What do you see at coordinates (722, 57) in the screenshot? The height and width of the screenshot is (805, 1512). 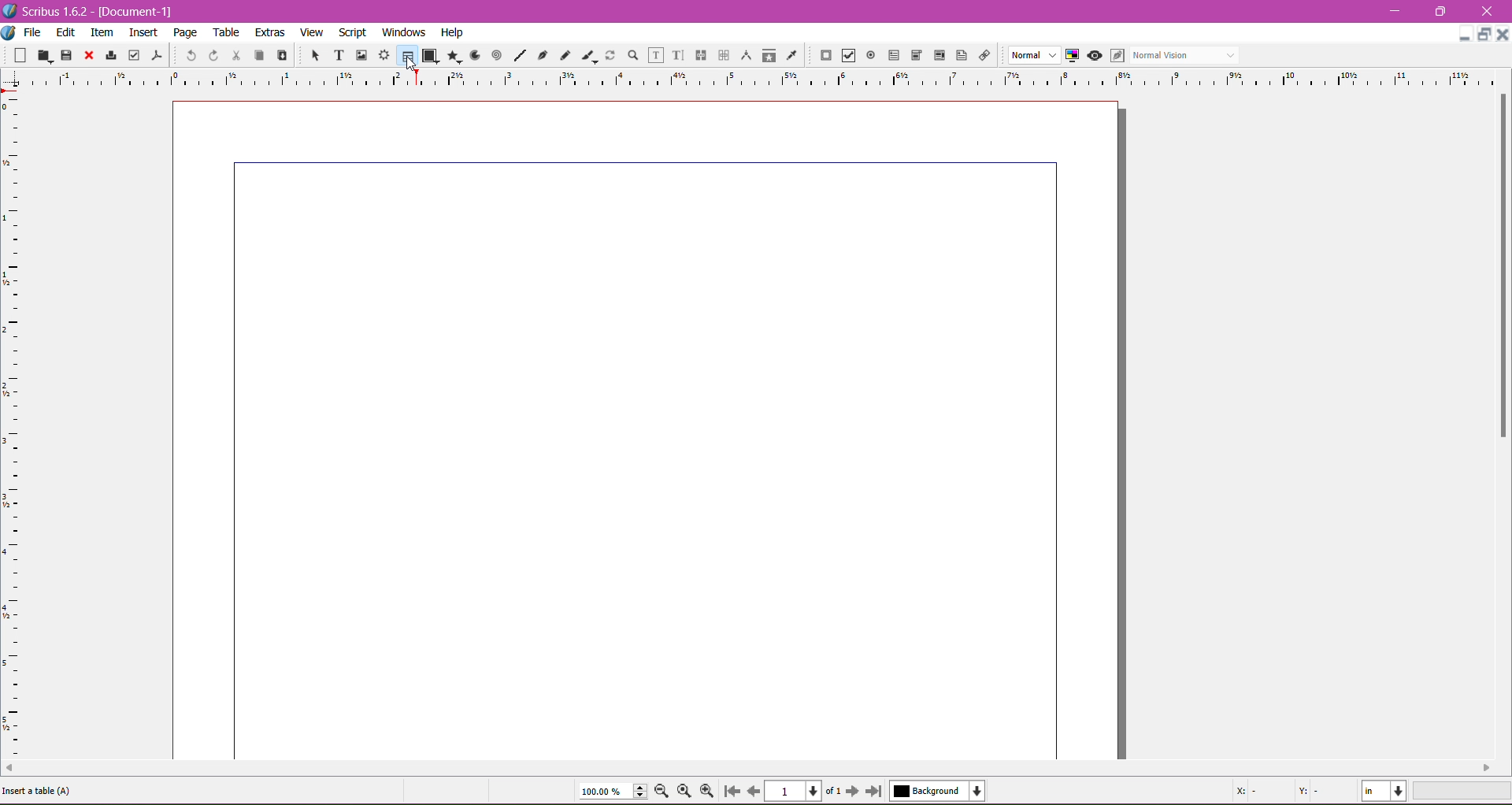 I see `Unlink Text Frames` at bounding box center [722, 57].